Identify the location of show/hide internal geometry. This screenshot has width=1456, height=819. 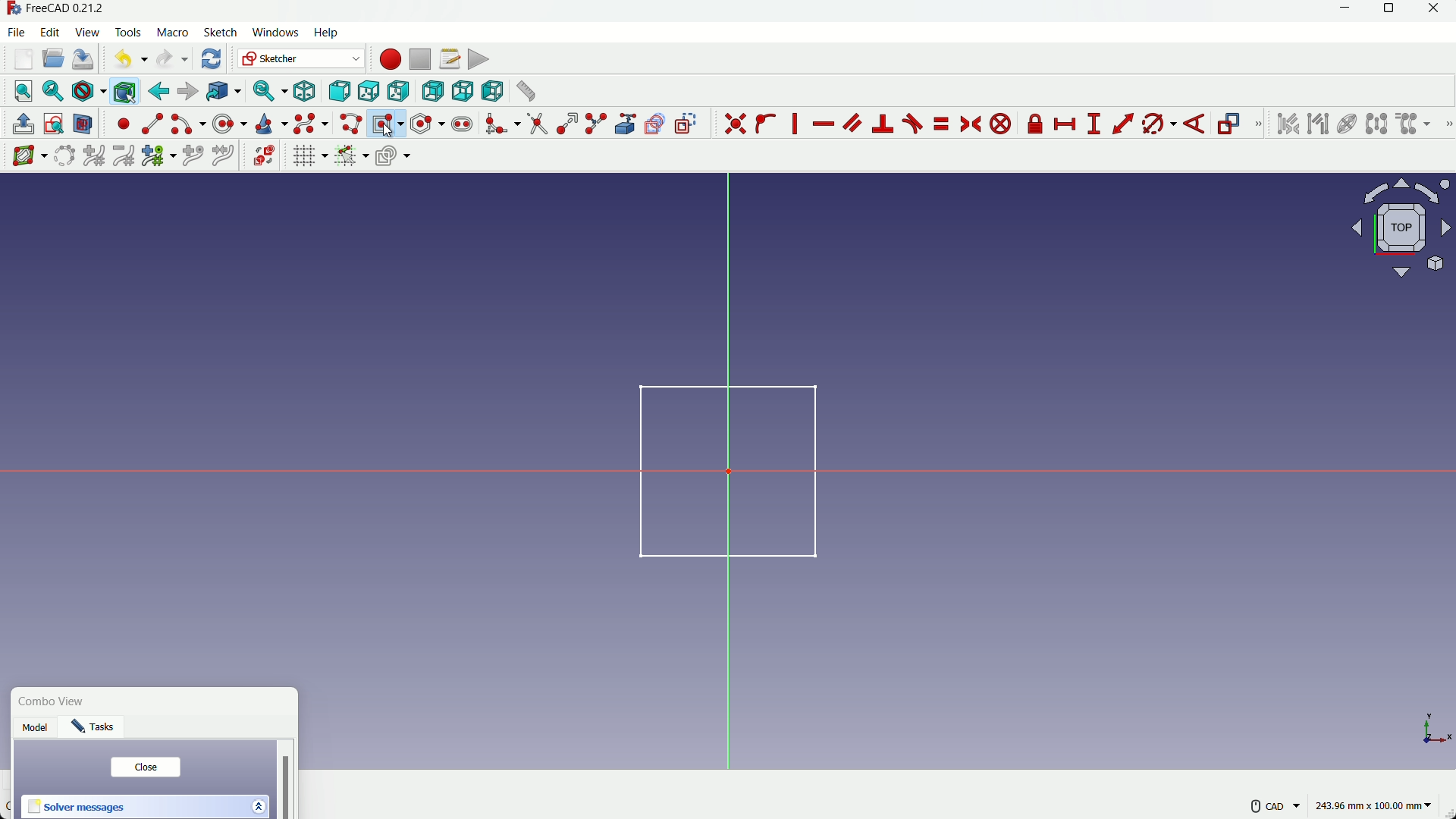
(1345, 124).